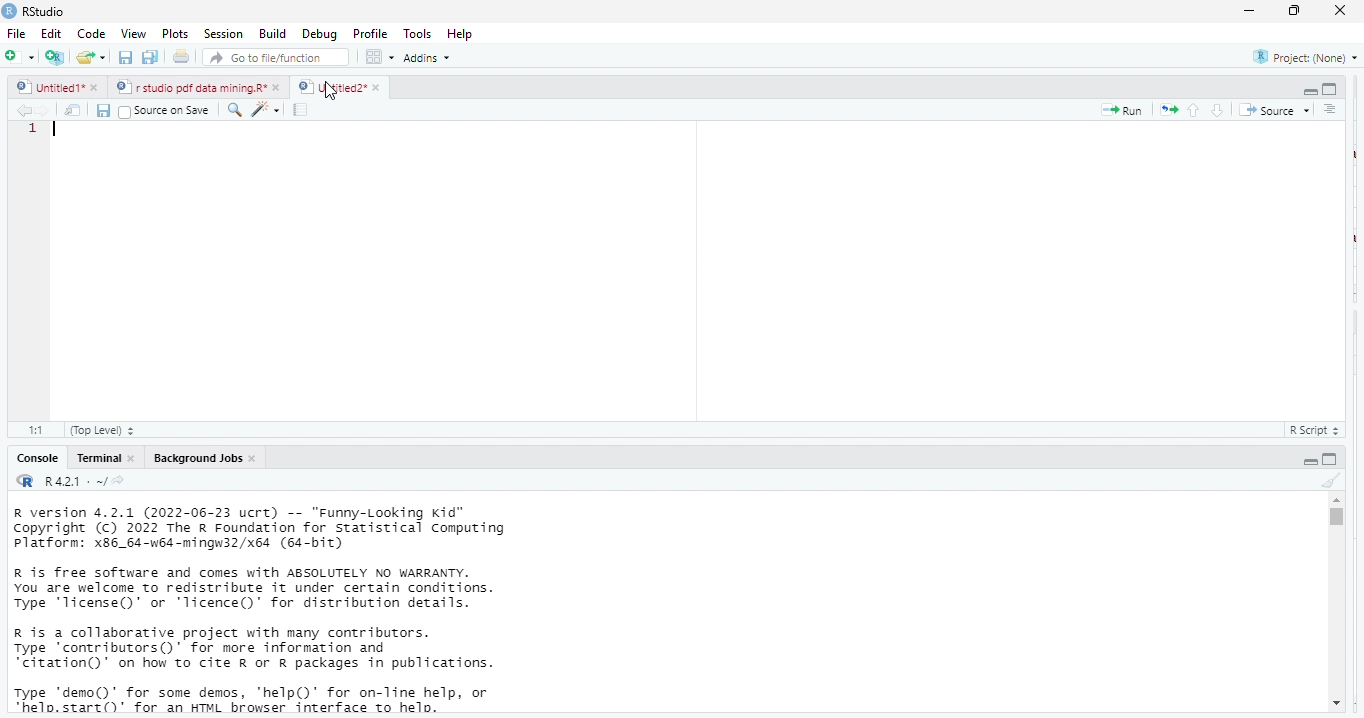 The width and height of the screenshot is (1364, 718). I want to click on hide r script, so click(1311, 460).